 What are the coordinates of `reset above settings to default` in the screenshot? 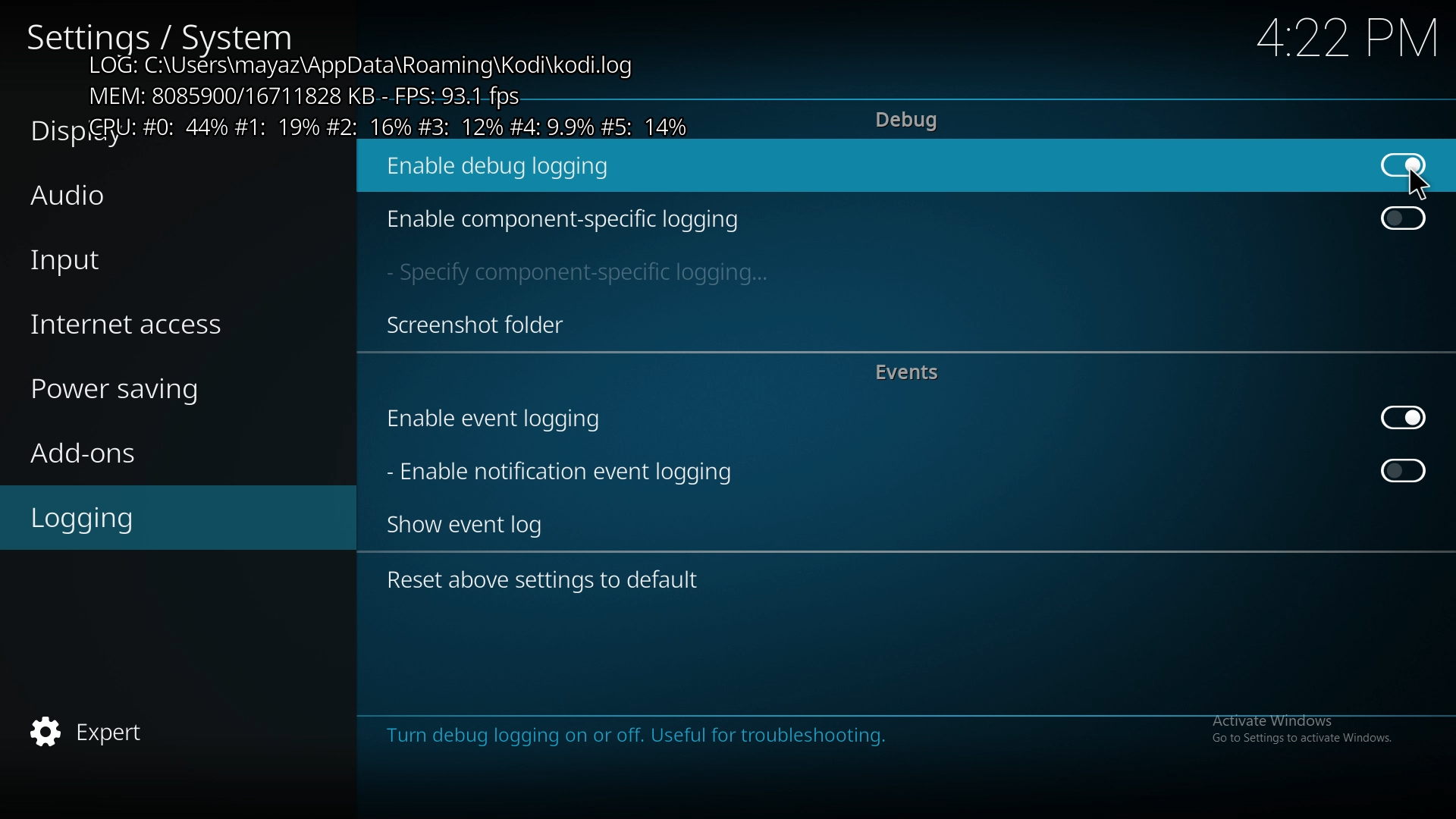 It's located at (556, 582).